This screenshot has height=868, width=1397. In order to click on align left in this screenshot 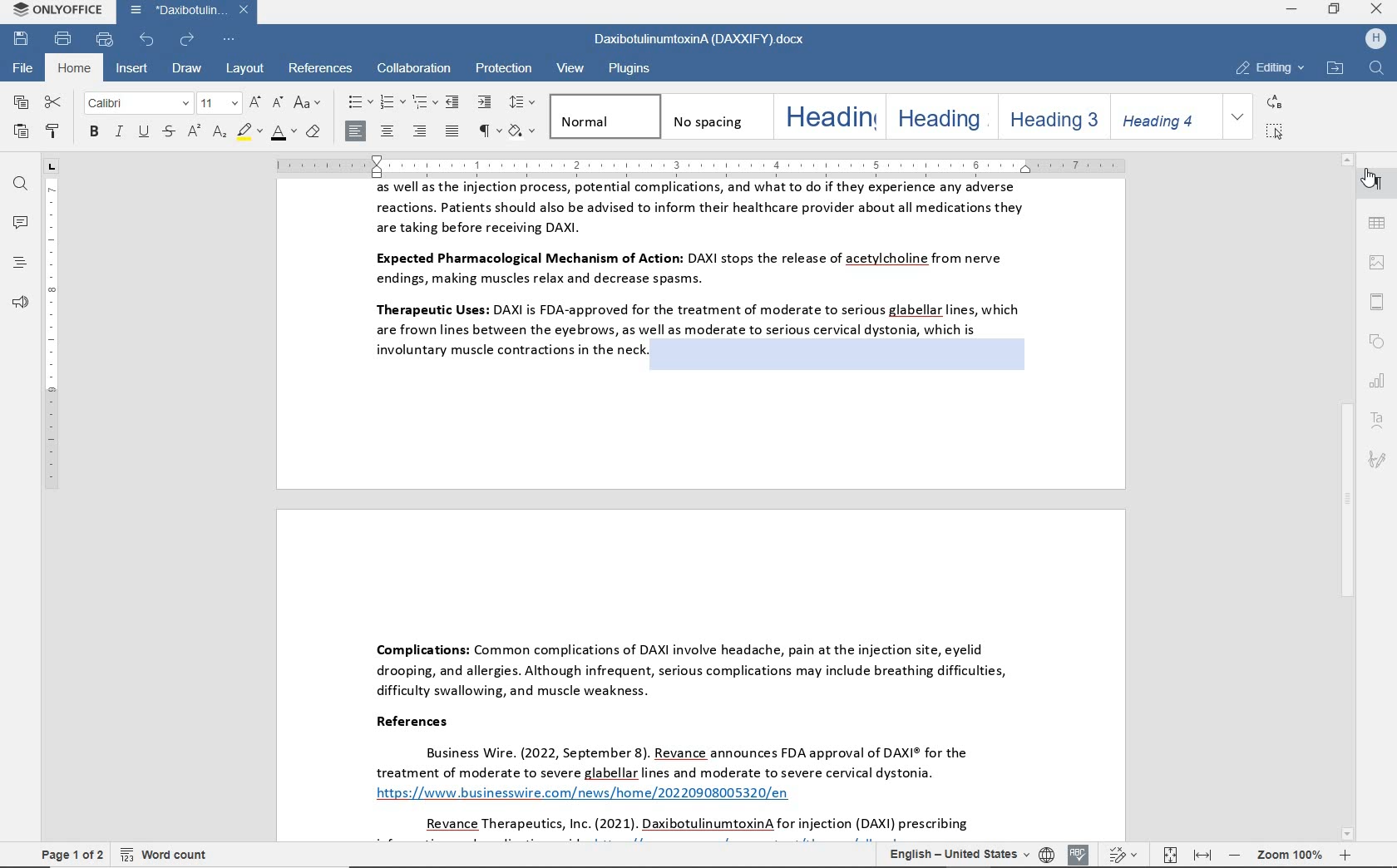, I will do `click(357, 131)`.